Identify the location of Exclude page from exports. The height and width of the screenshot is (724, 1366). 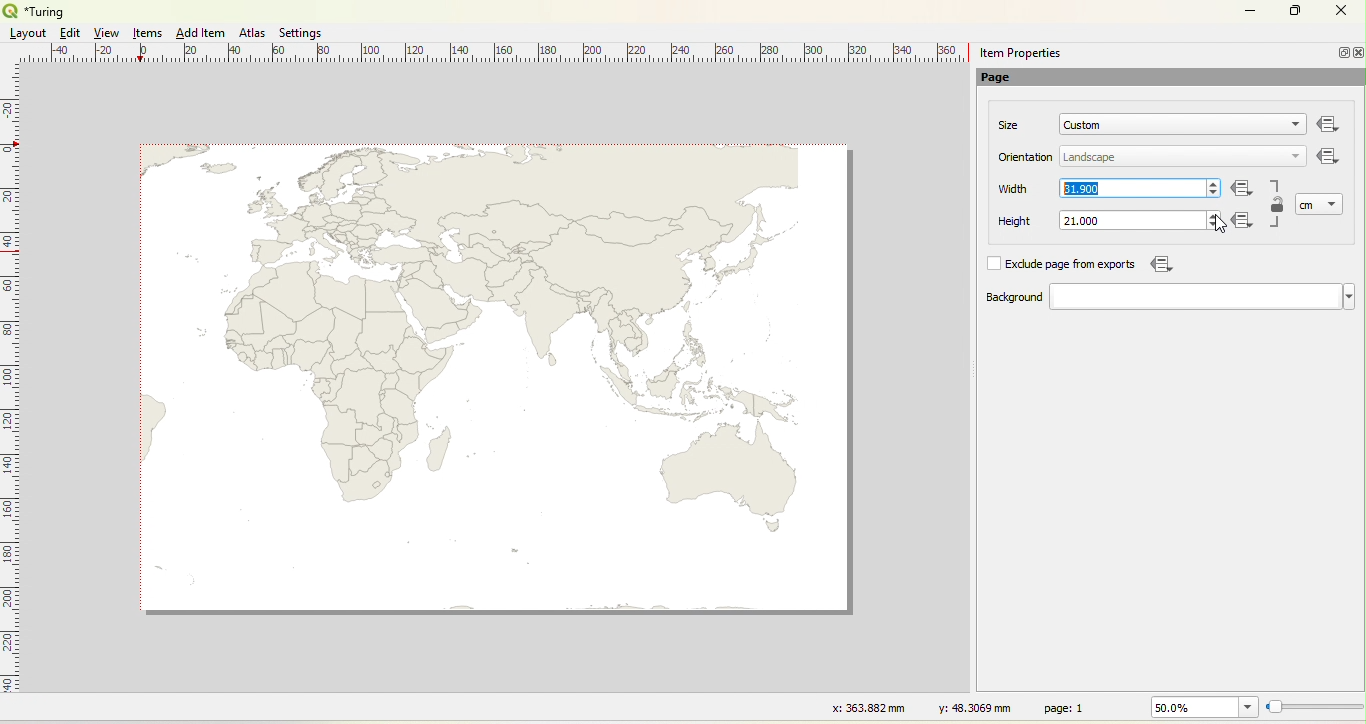
(1074, 265).